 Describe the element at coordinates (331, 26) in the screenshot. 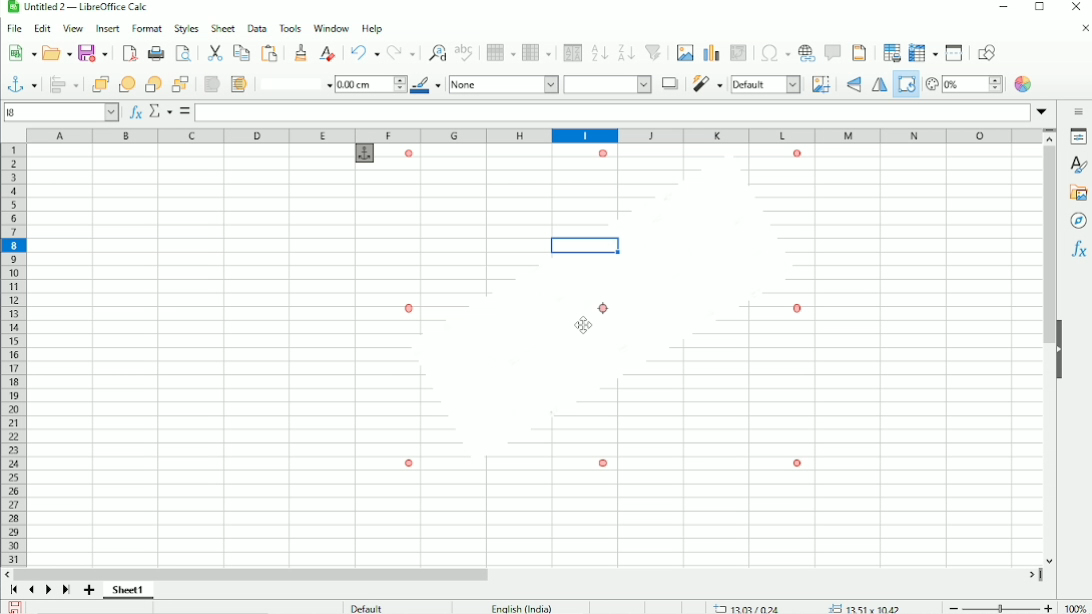

I see `Window` at that location.